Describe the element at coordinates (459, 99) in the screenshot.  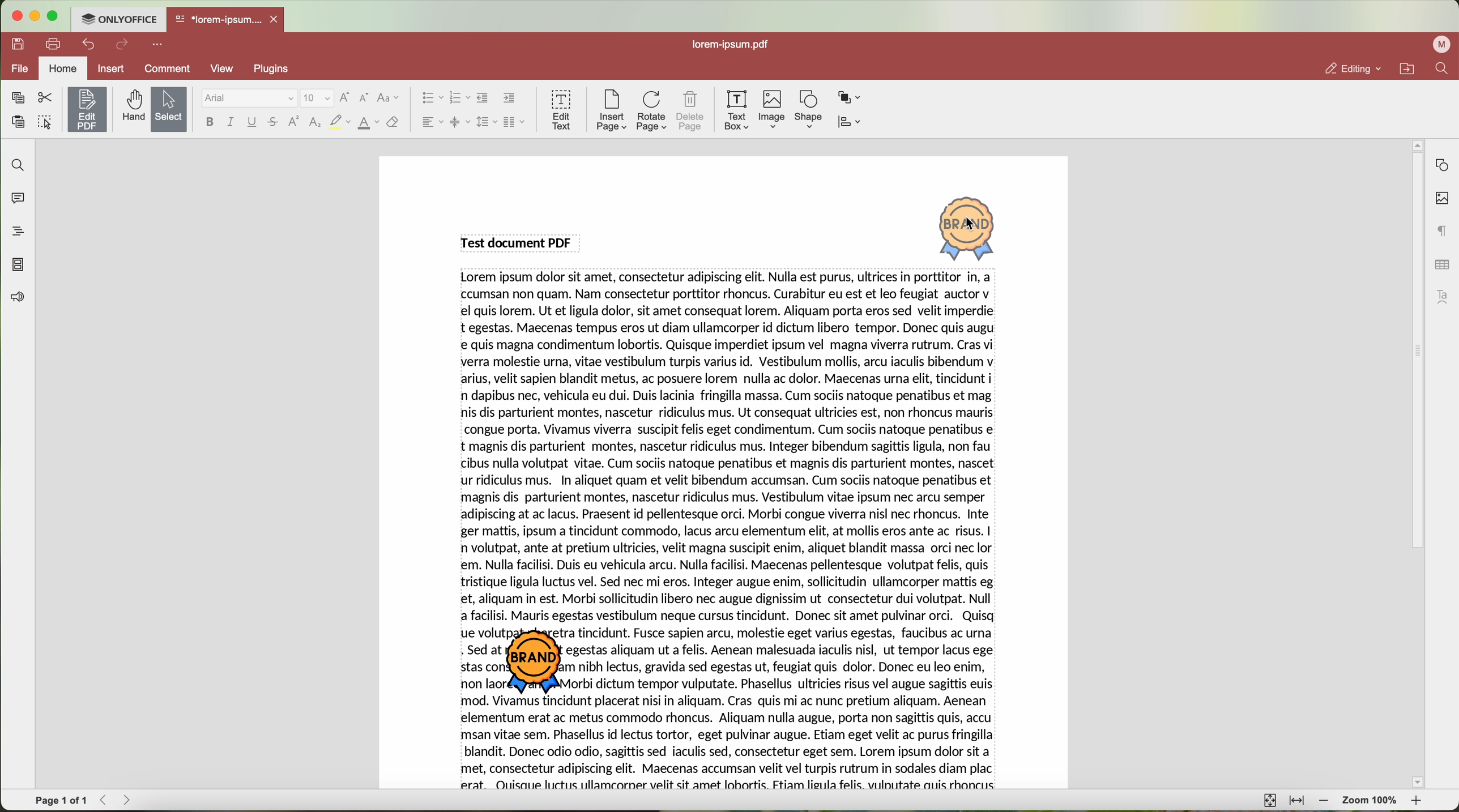
I see `numbering` at that location.